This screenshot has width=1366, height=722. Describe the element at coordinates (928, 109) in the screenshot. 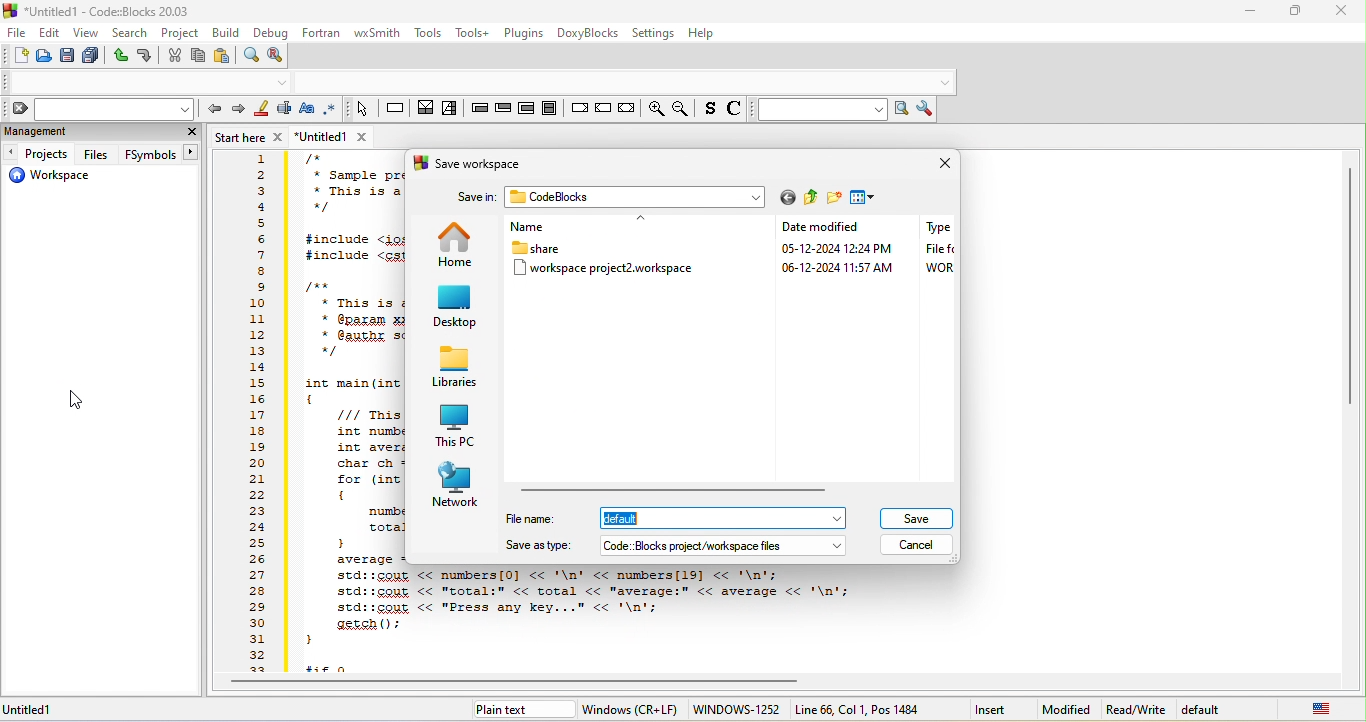

I see `show option window` at that location.